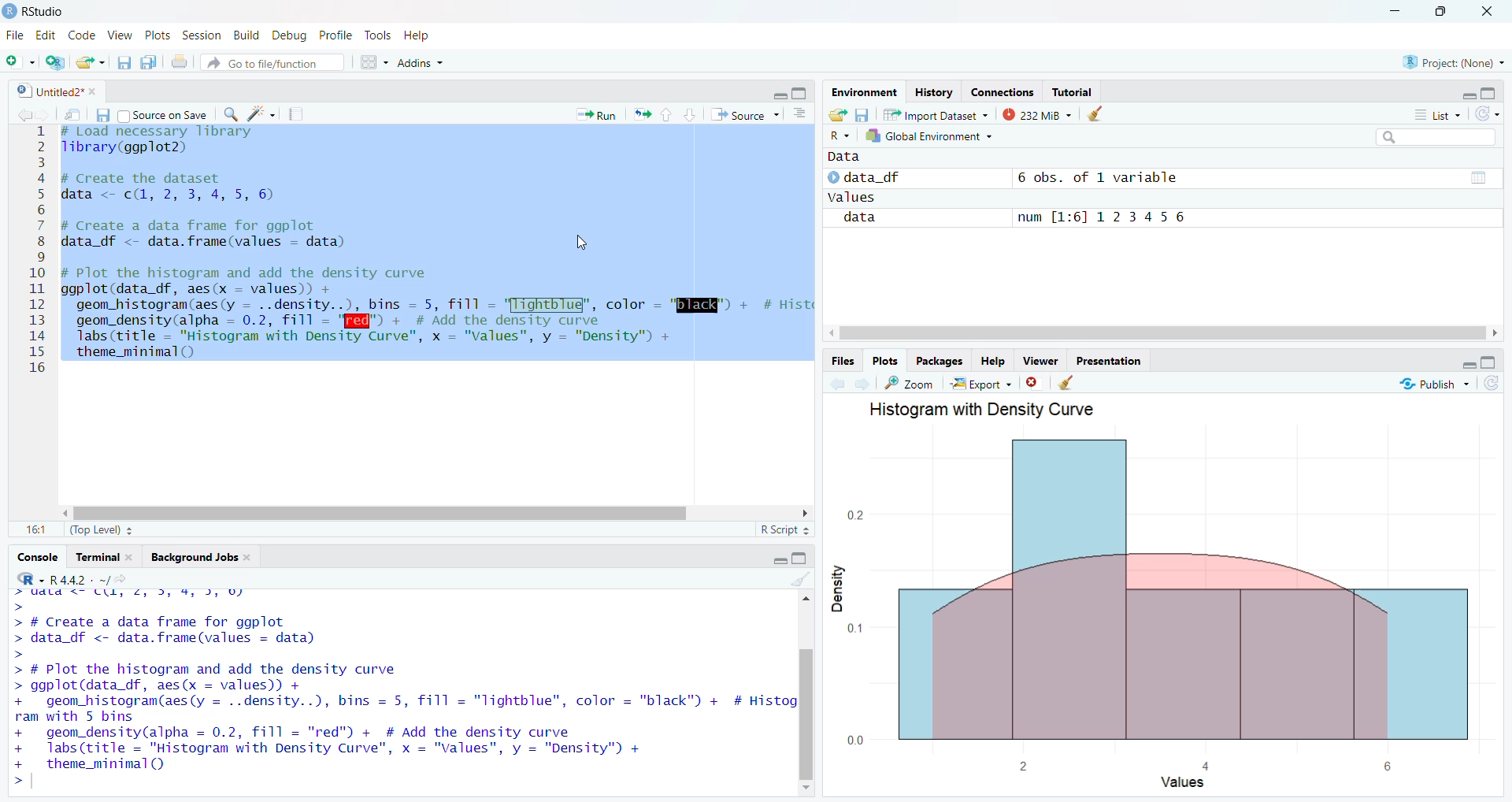  What do you see at coordinates (17, 701) in the screenshot?
I see `+` at bounding box center [17, 701].